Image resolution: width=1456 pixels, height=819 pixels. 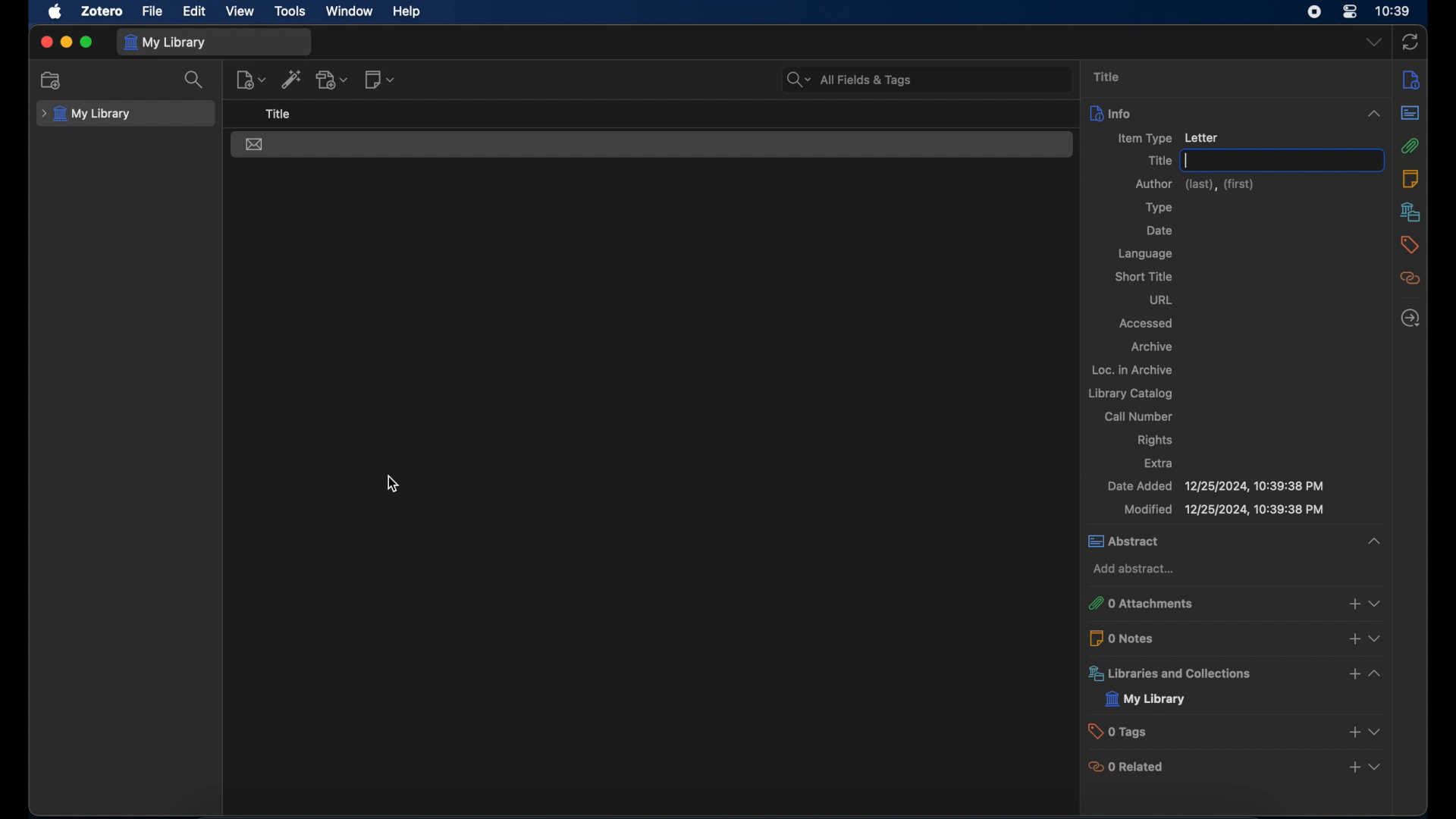 What do you see at coordinates (1185, 161) in the screenshot?
I see `text cursor` at bounding box center [1185, 161].